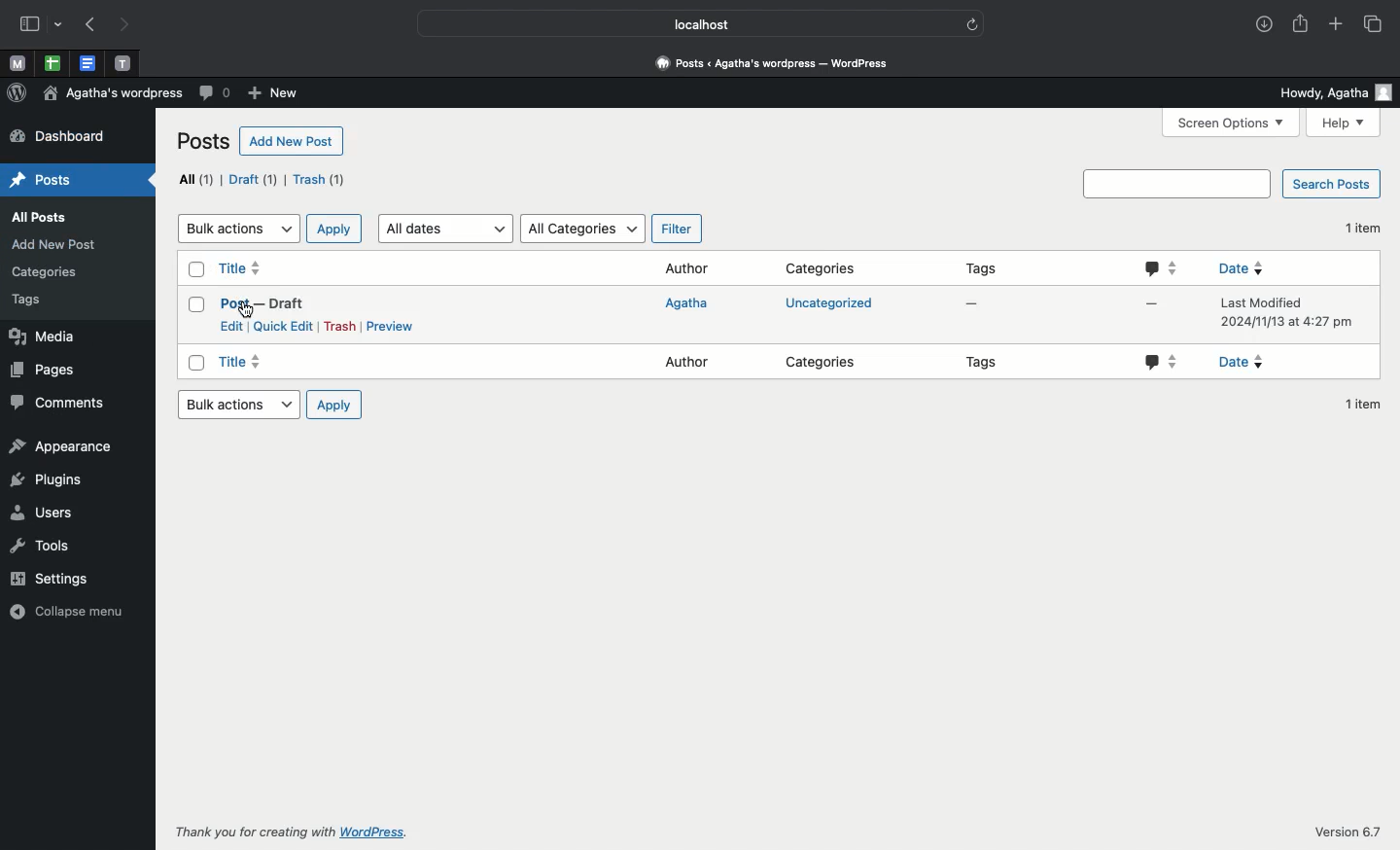 The width and height of the screenshot is (1400, 850). I want to click on Quick edit, so click(285, 327).